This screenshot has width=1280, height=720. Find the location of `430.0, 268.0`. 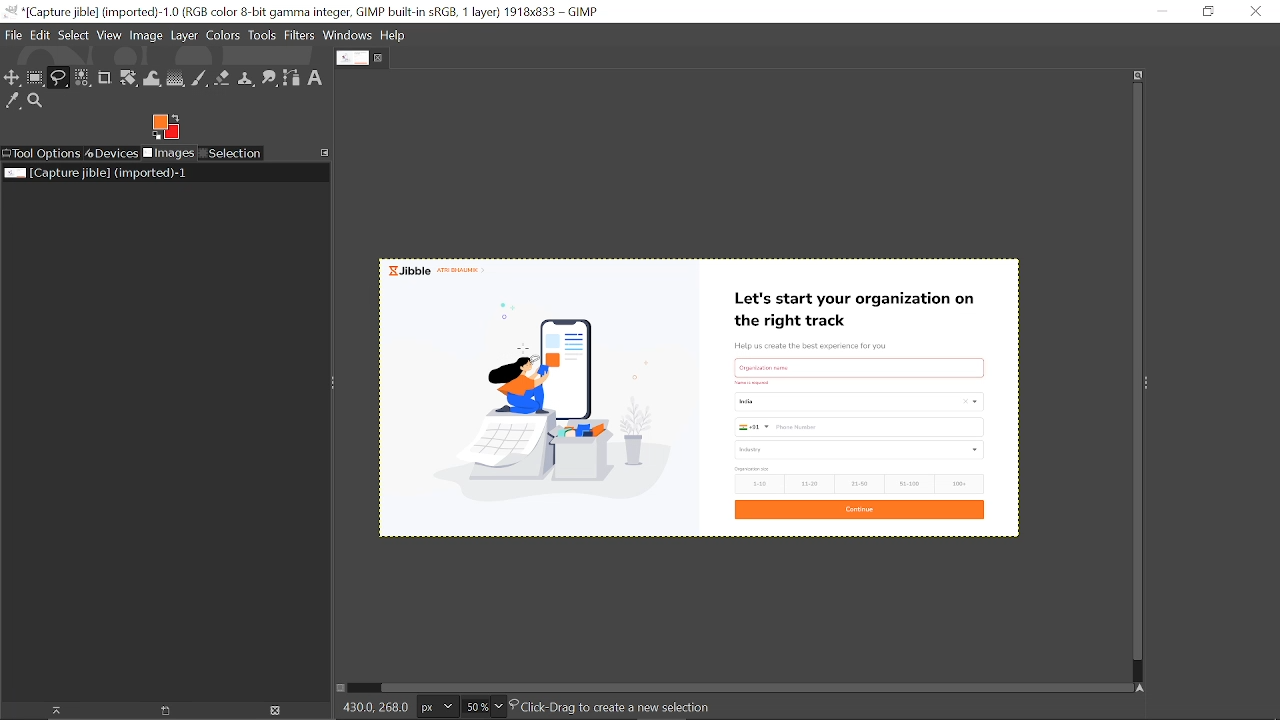

430.0, 268.0 is located at coordinates (371, 710).